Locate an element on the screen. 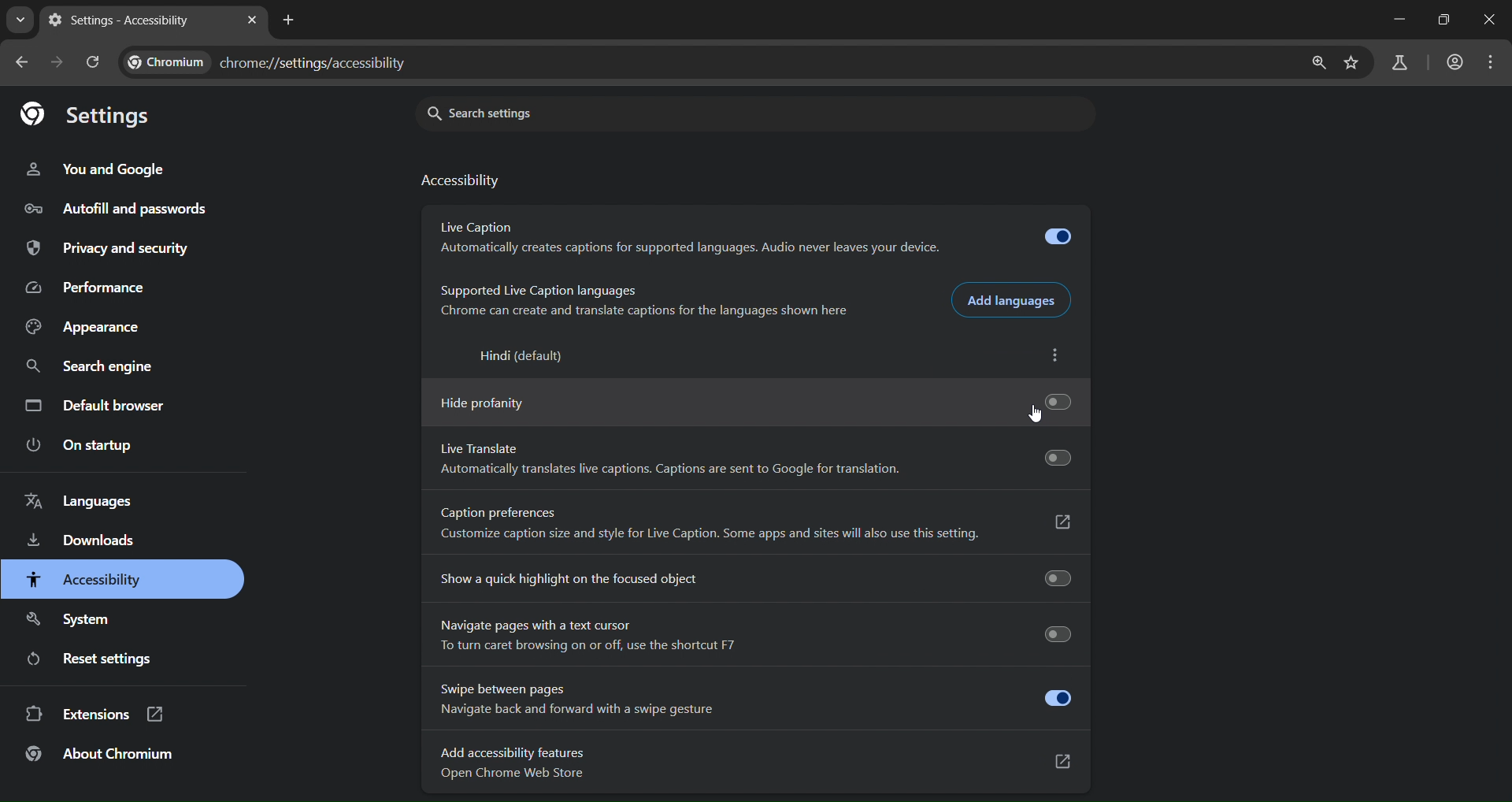  you and google is located at coordinates (103, 173).